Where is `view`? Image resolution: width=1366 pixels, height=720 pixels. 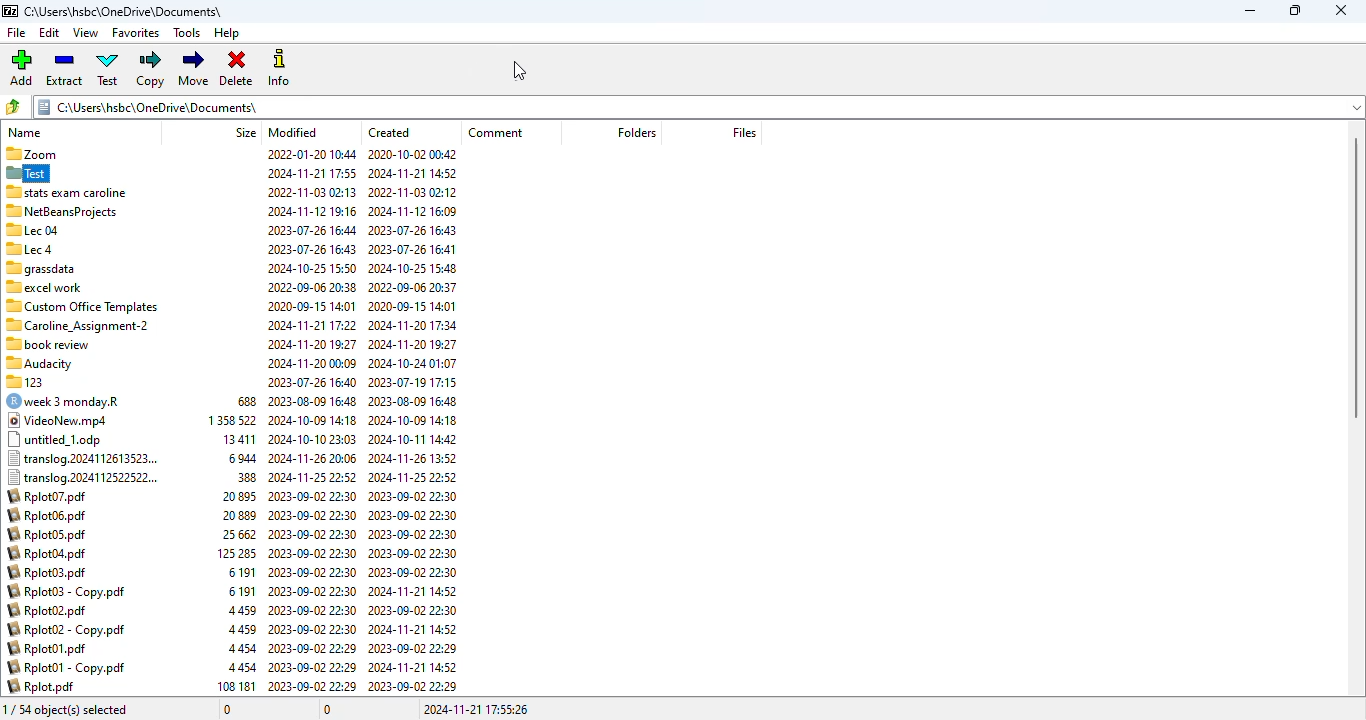 view is located at coordinates (85, 33).